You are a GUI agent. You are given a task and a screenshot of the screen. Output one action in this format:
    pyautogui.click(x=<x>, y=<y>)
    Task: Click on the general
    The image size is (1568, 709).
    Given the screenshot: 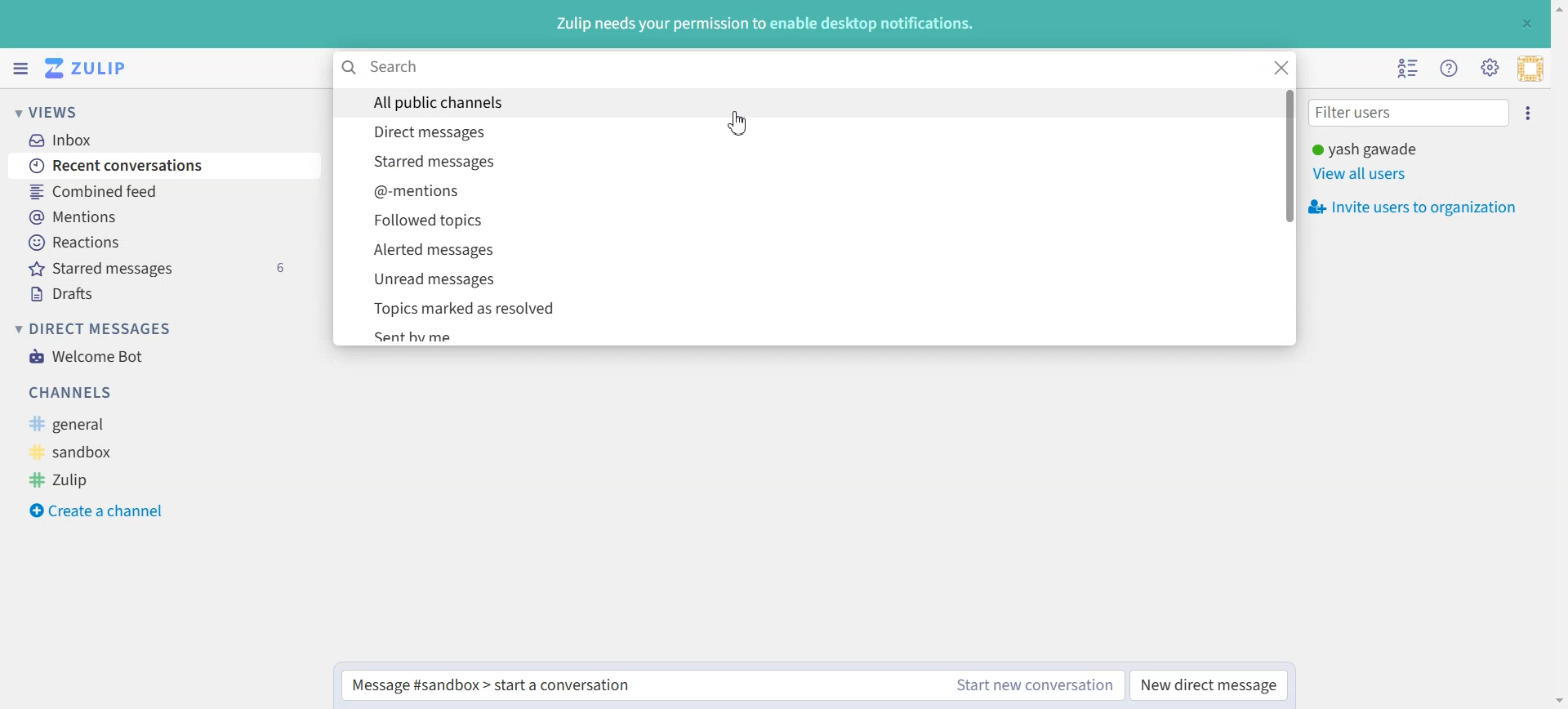 What is the action you would take?
    pyautogui.click(x=102, y=423)
    